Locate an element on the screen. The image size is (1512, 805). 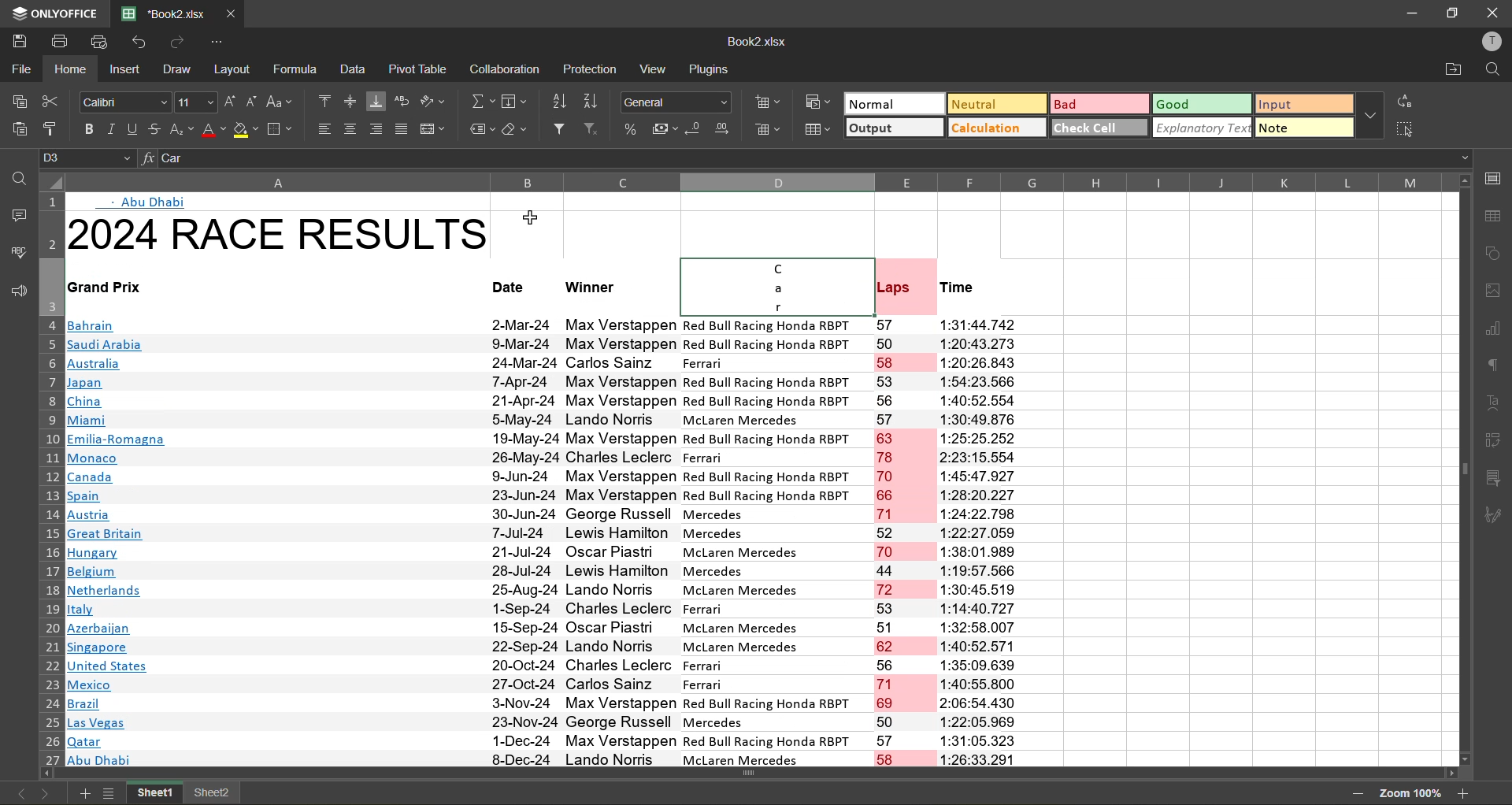
data is located at coordinates (356, 71).